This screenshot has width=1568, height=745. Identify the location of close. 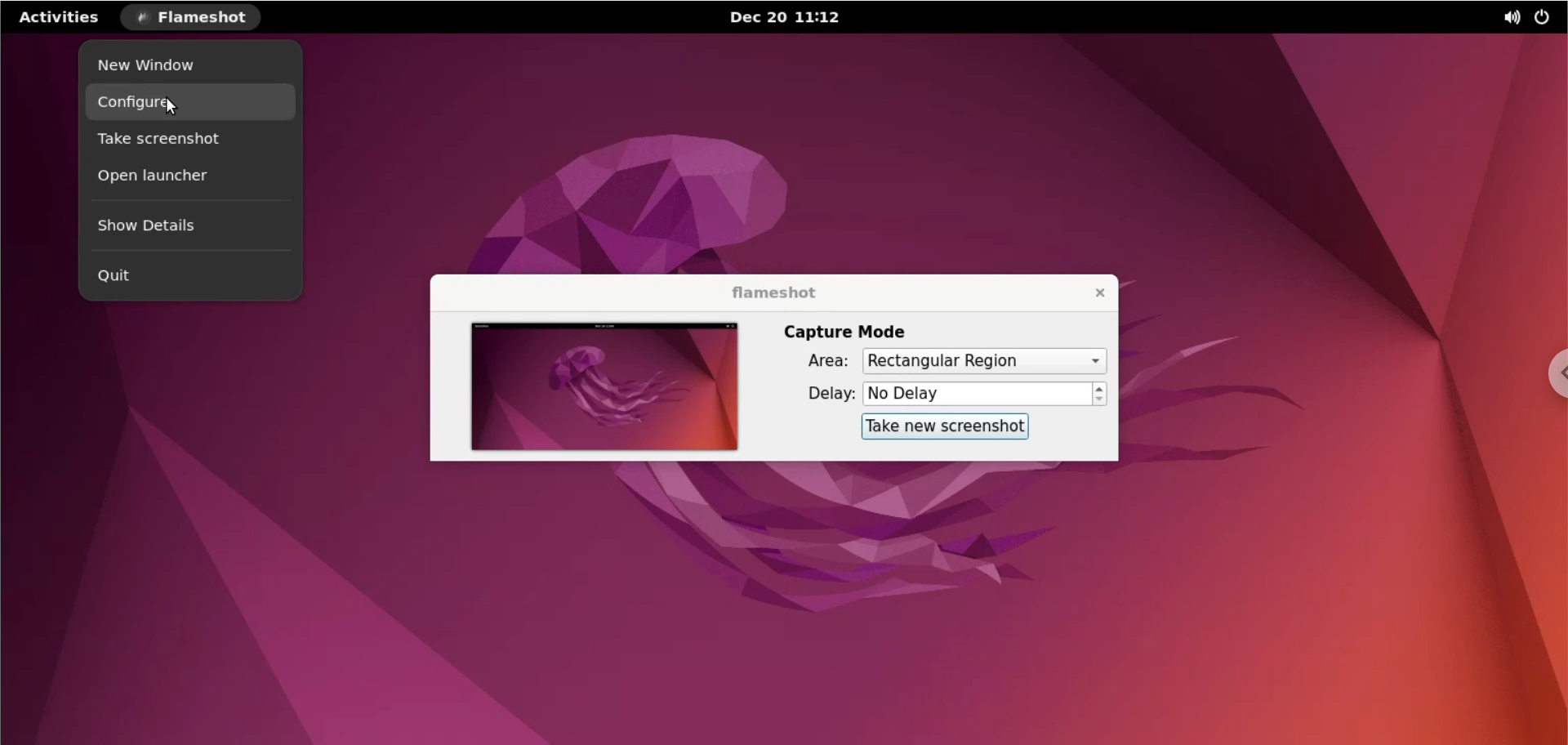
(1089, 292).